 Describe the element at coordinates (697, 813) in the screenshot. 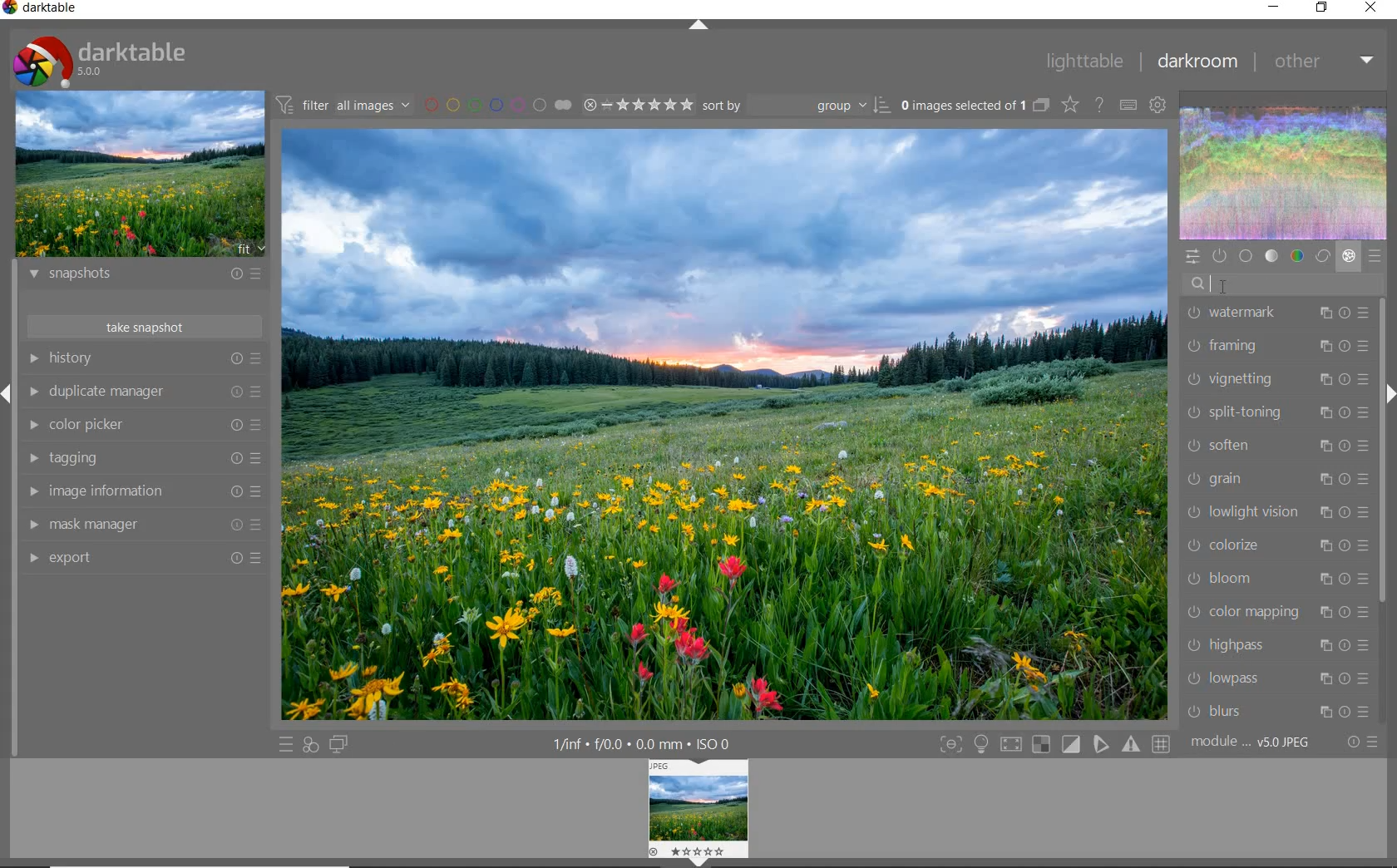

I see `image preview` at that location.